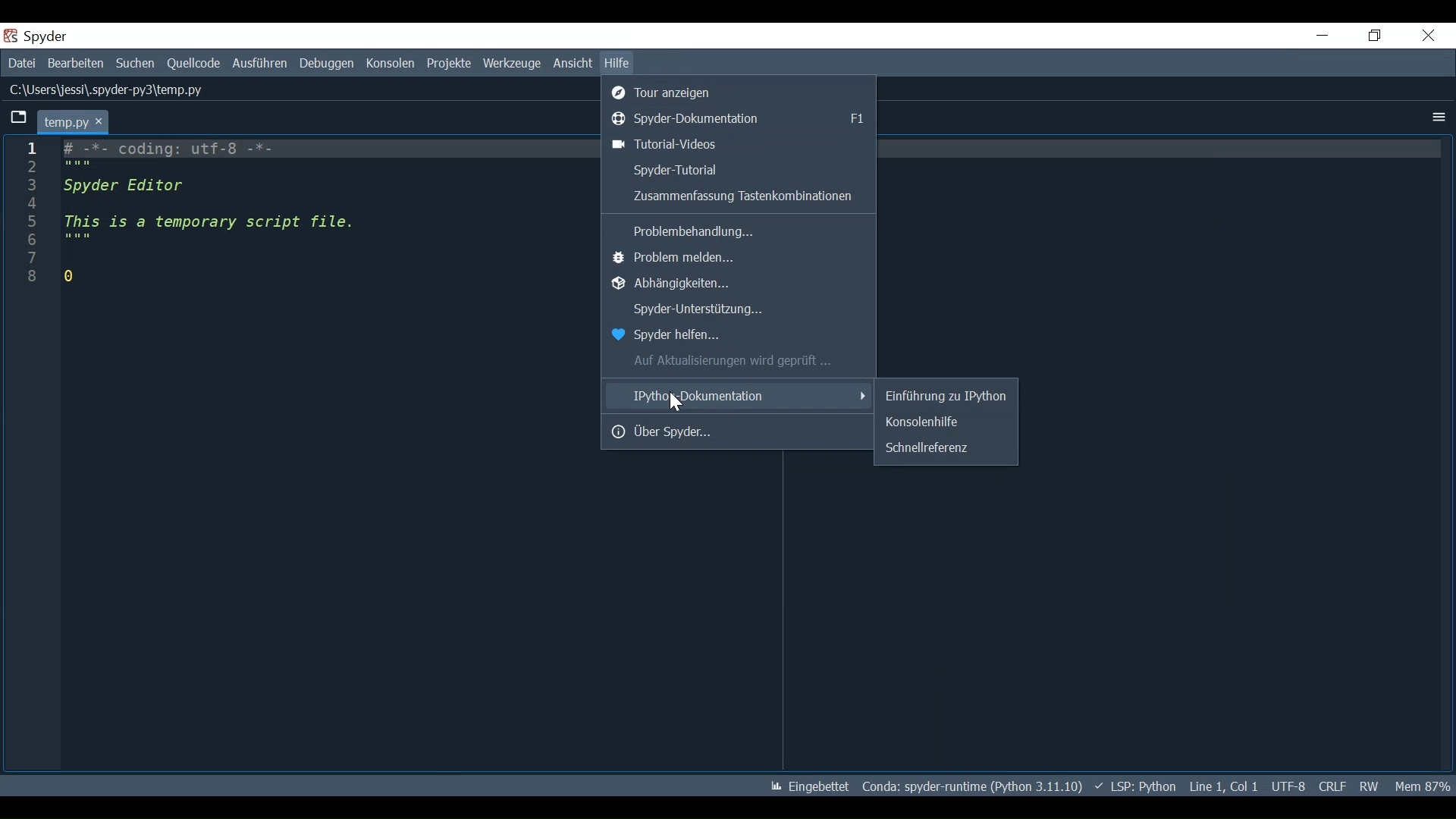  Describe the element at coordinates (739, 395) in the screenshot. I see `IPython documentation` at that location.